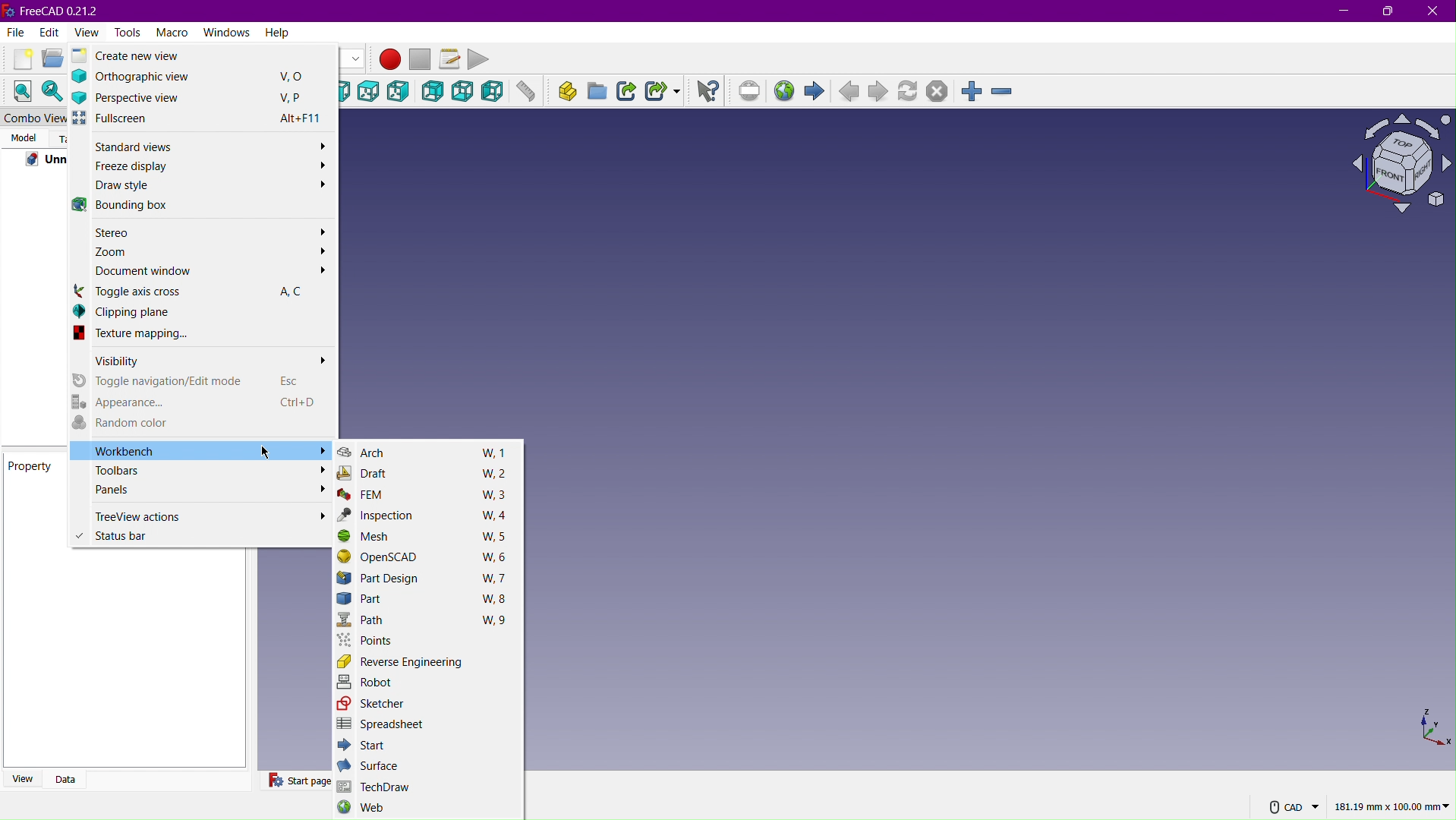  What do you see at coordinates (815, 92) in the screenshot?
I see `Start page` at bounding box center [815, 92].